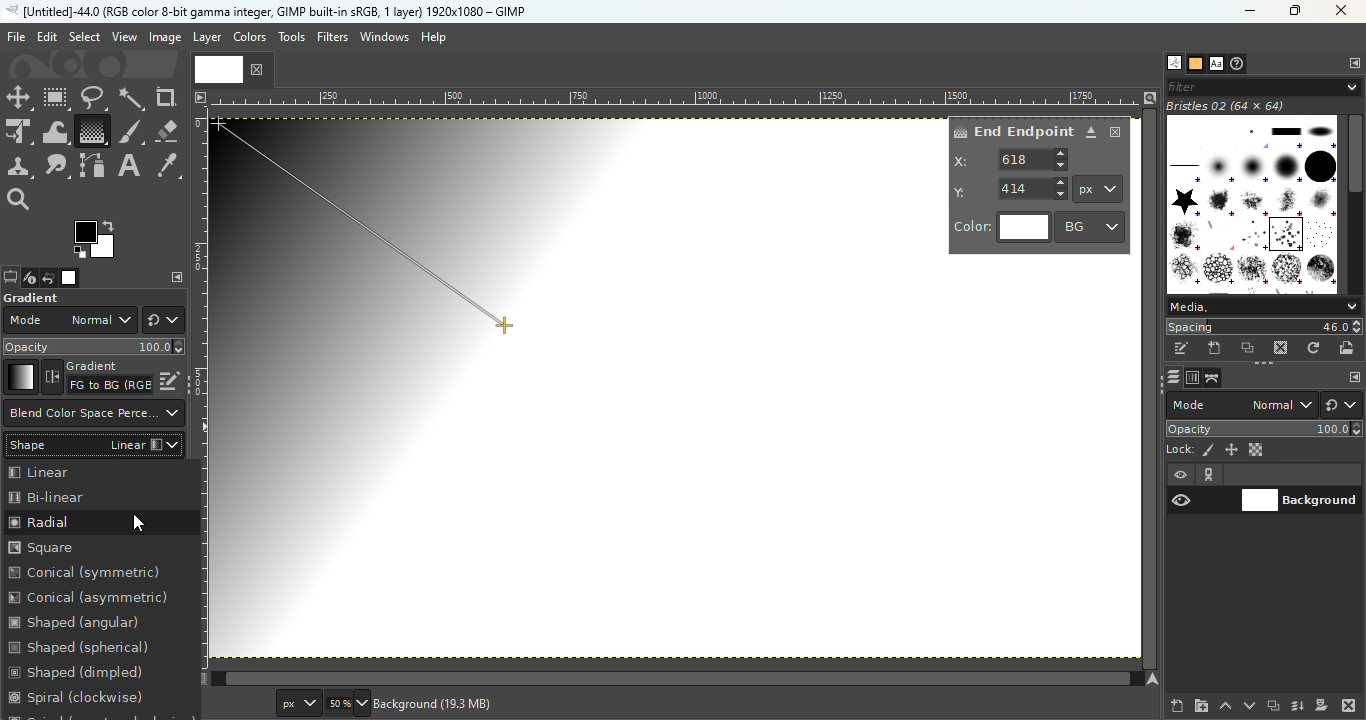 Image resolution: width=1366 pixels, height=720 pixels. What do you see at coordinates (138, 519) in the screenshot?
I see `cursor` at bounding box center [138, 519].